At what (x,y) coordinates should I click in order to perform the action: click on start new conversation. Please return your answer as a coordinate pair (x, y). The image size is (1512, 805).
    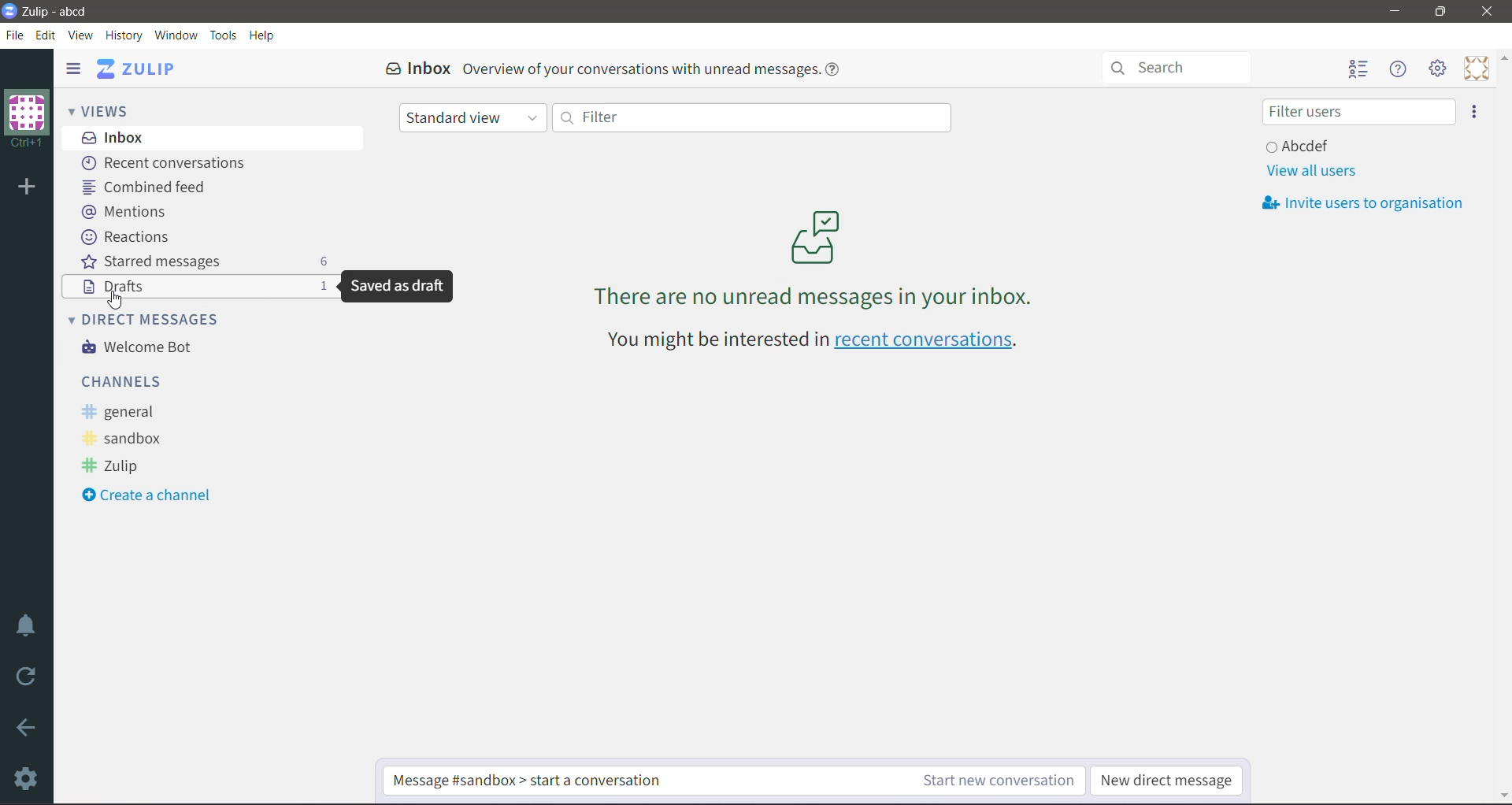
    Looking at the image, I should click on (736, 781).